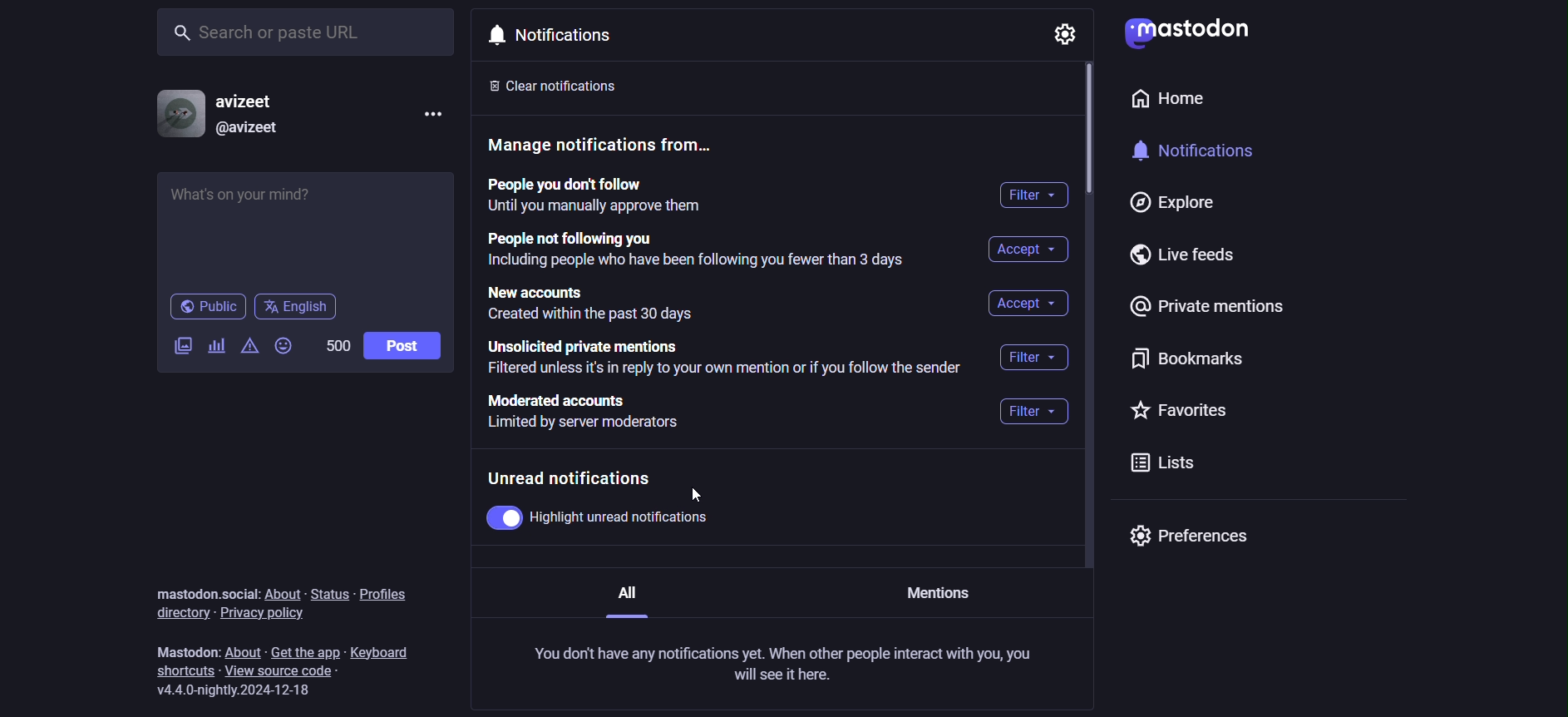 This screenshot has width=1568, height=717. Describe the element at coordinates (179, 613) in the screenshot. I see `directory` at that location.